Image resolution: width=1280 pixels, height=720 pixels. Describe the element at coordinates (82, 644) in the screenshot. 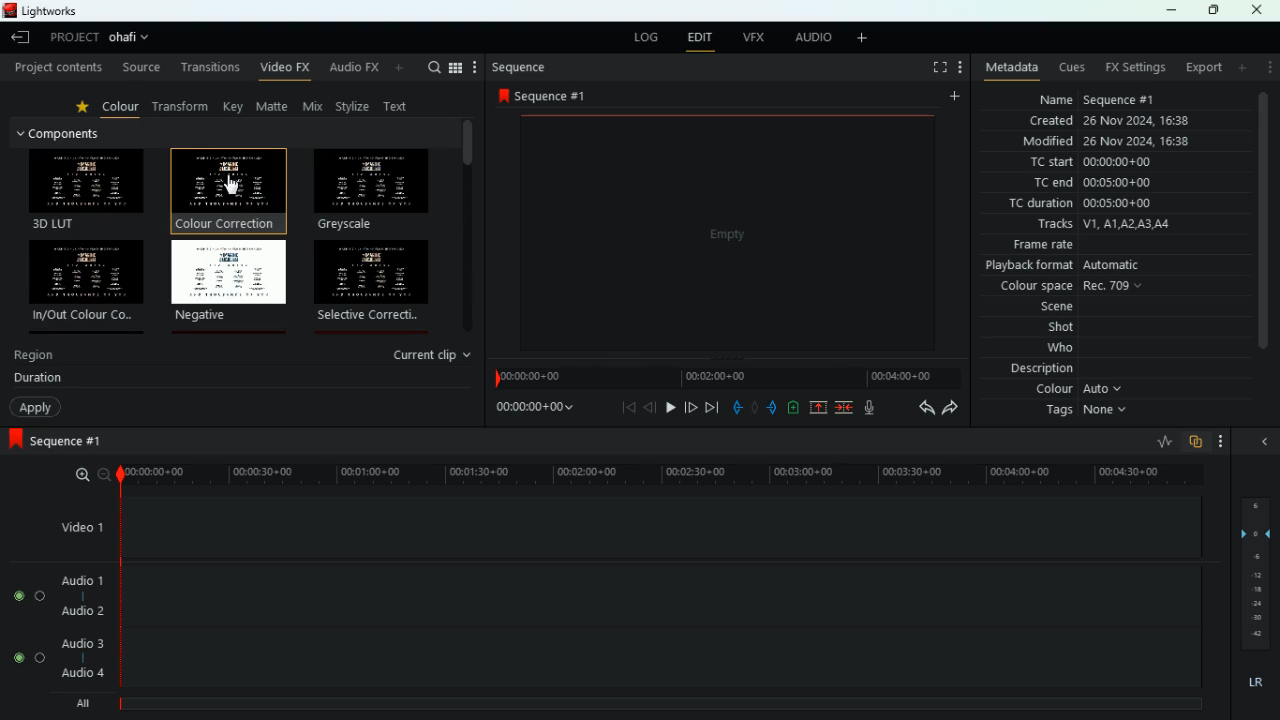

I see `audio 3` at that location.